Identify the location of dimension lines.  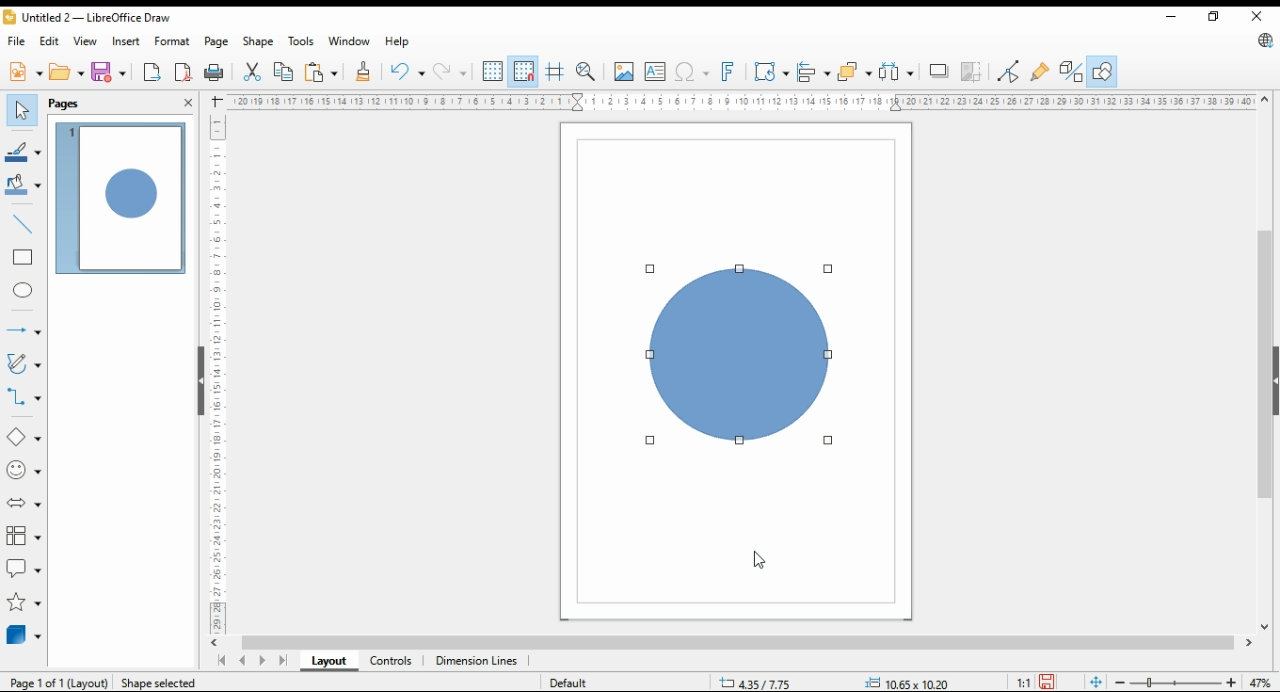
(477, 660).